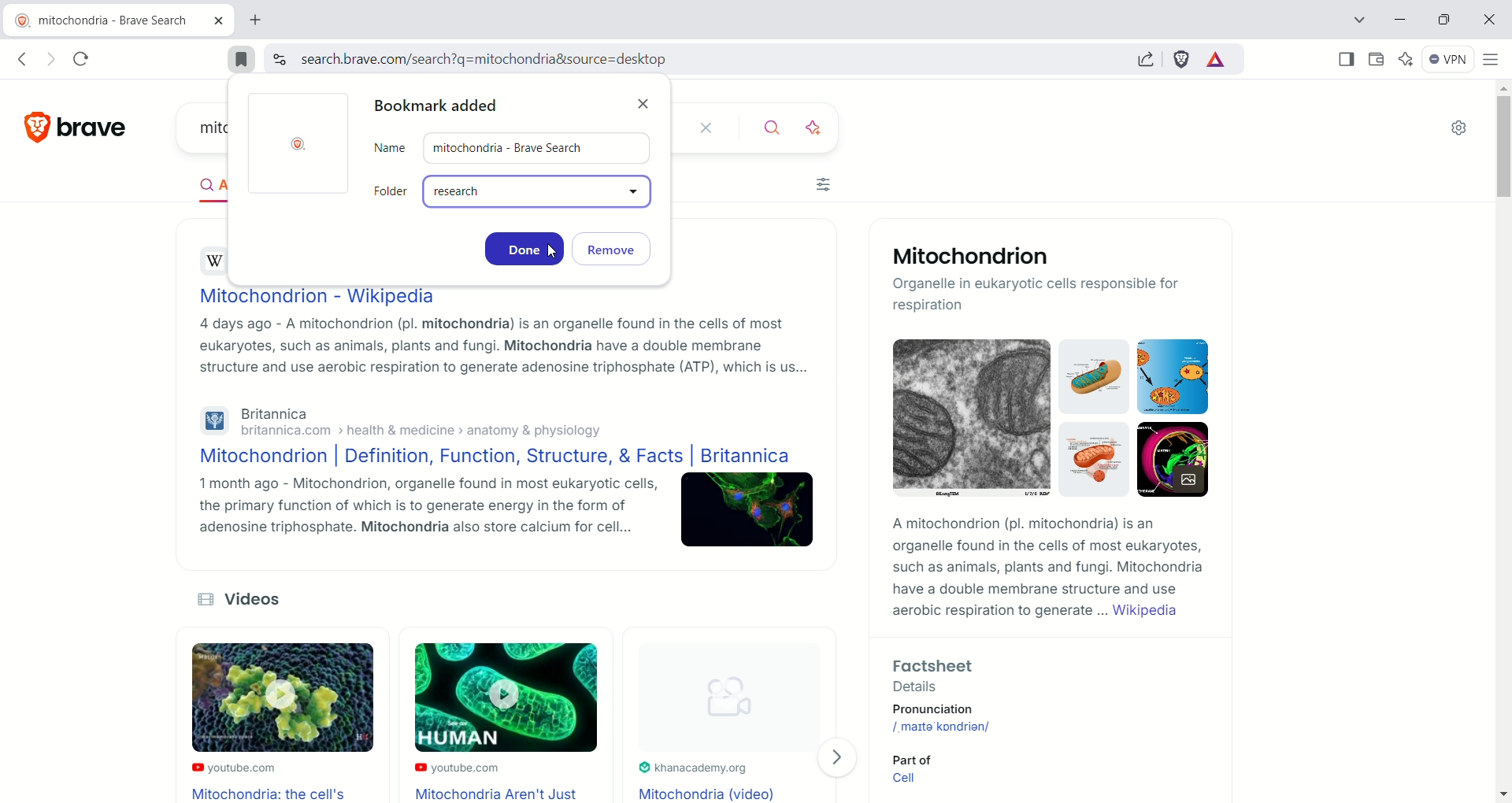 The image size is (1512, 803). Describe the element at coordinates (524, 248) in the screenshot. I see `done` at that location.